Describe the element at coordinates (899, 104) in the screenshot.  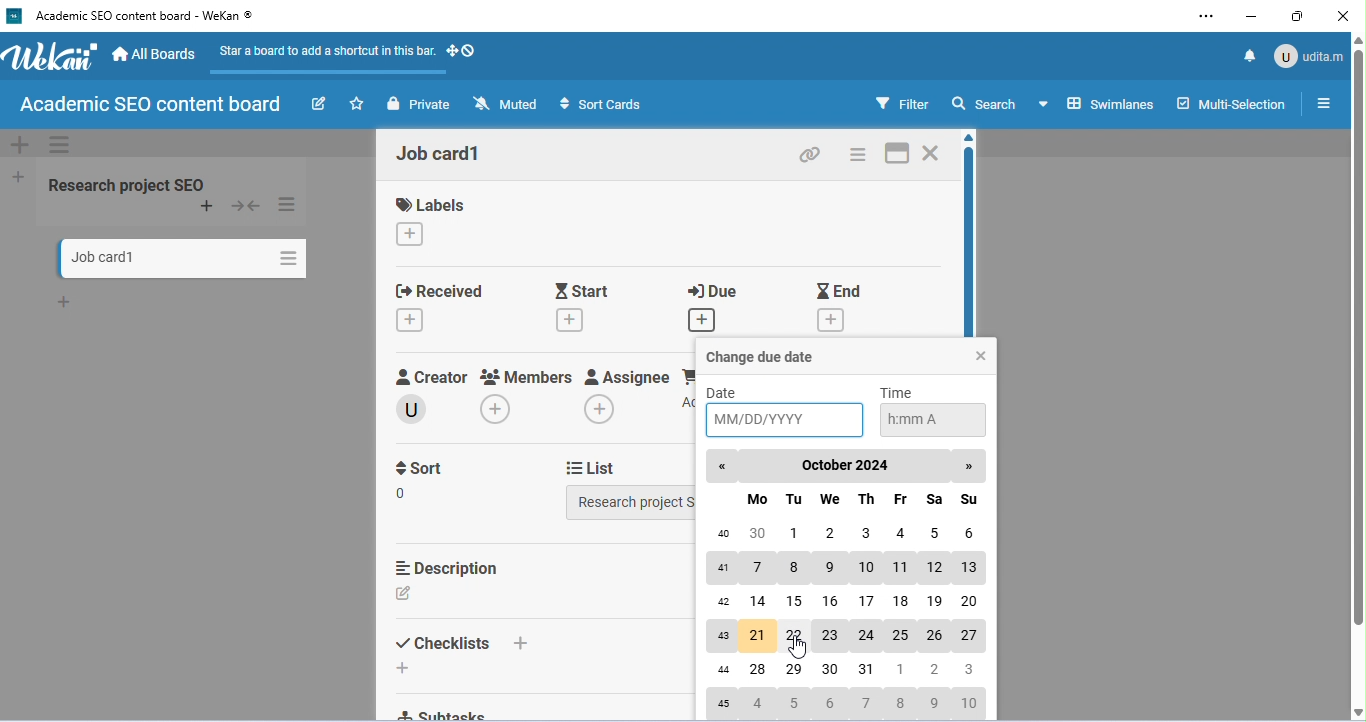
I see `filter` at that location.